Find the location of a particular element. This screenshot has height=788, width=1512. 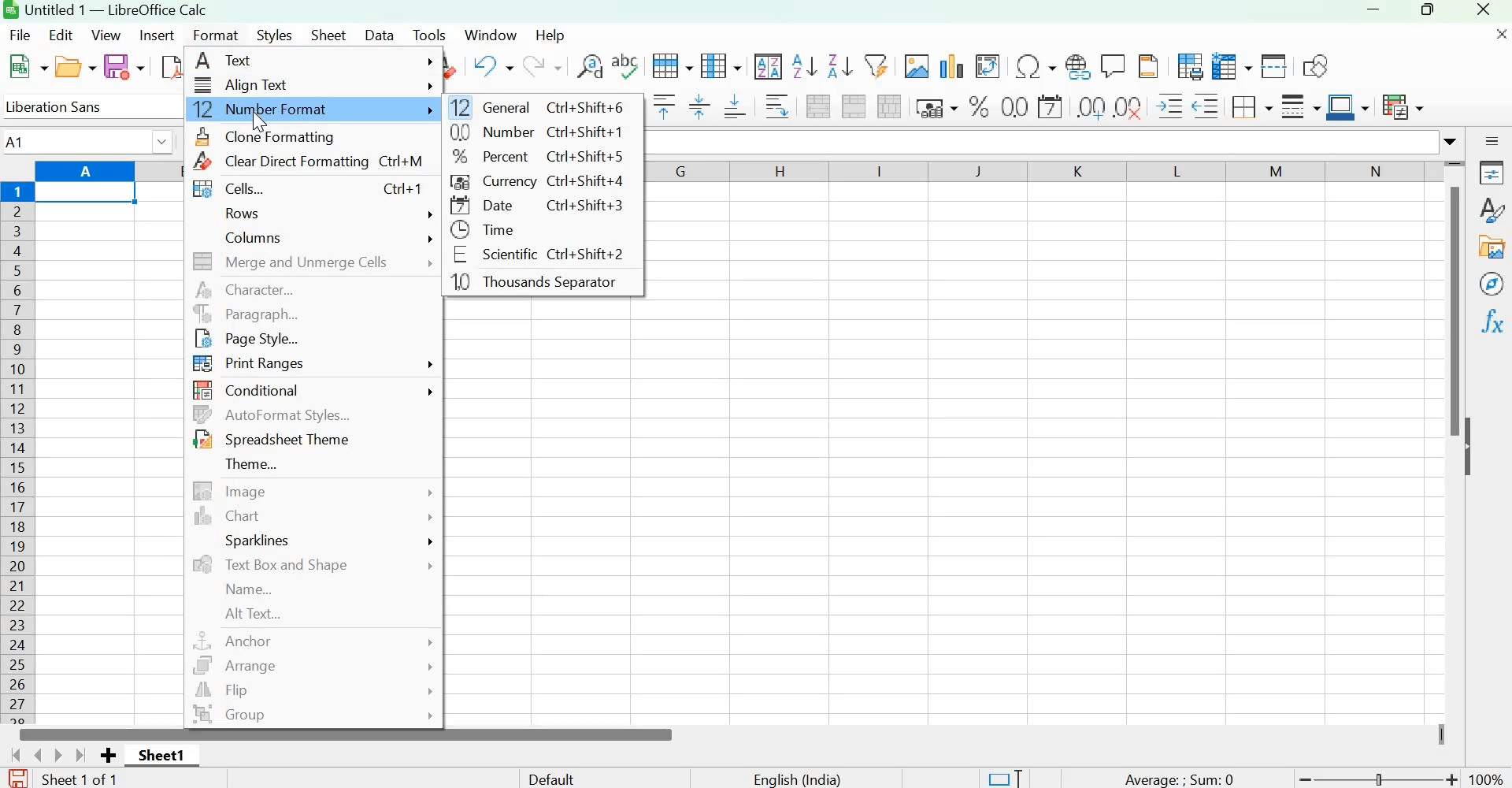

Number Format is located at coordinates (262, 108).